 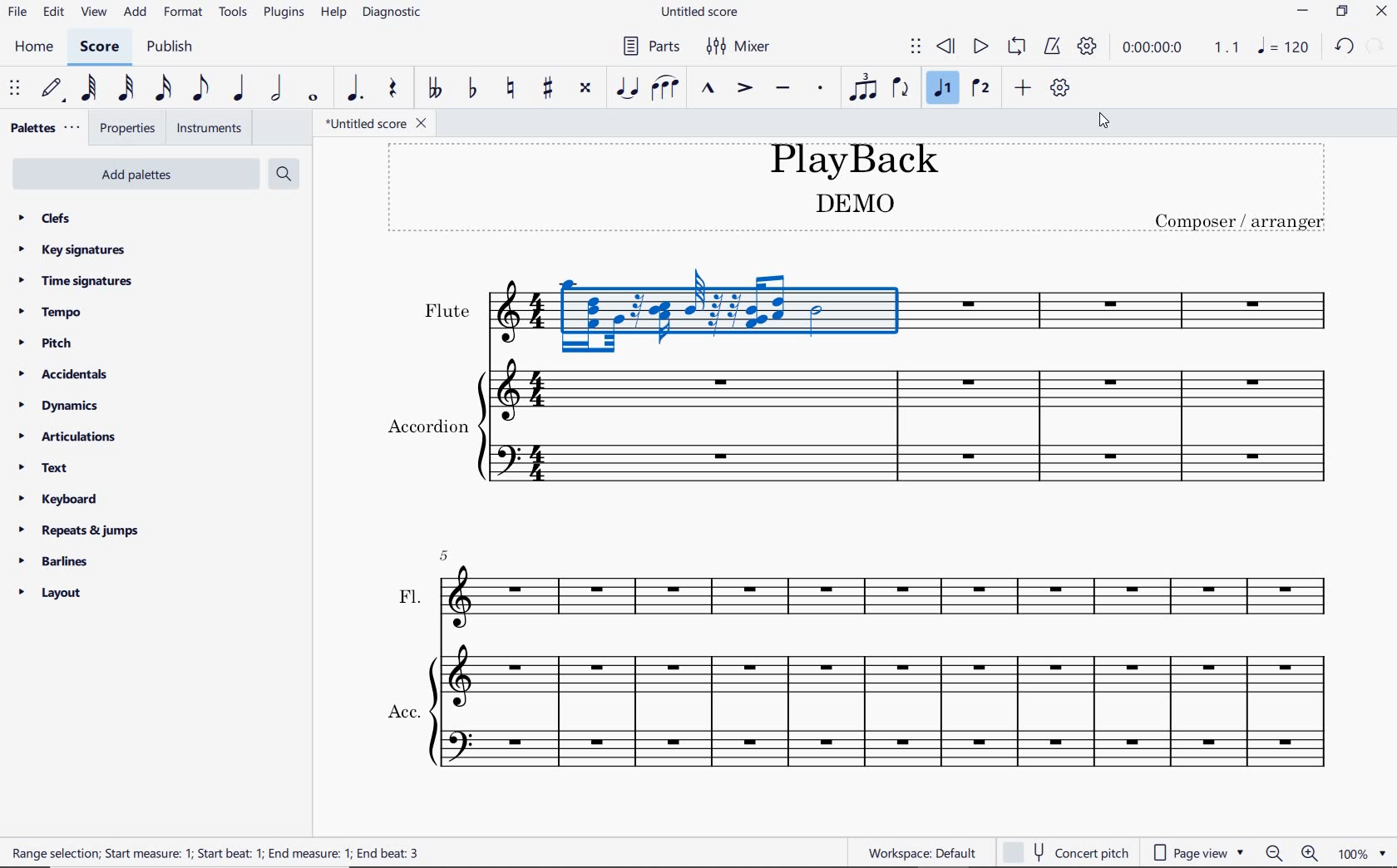 I want to click on mixer, so click(x=737, y=47).